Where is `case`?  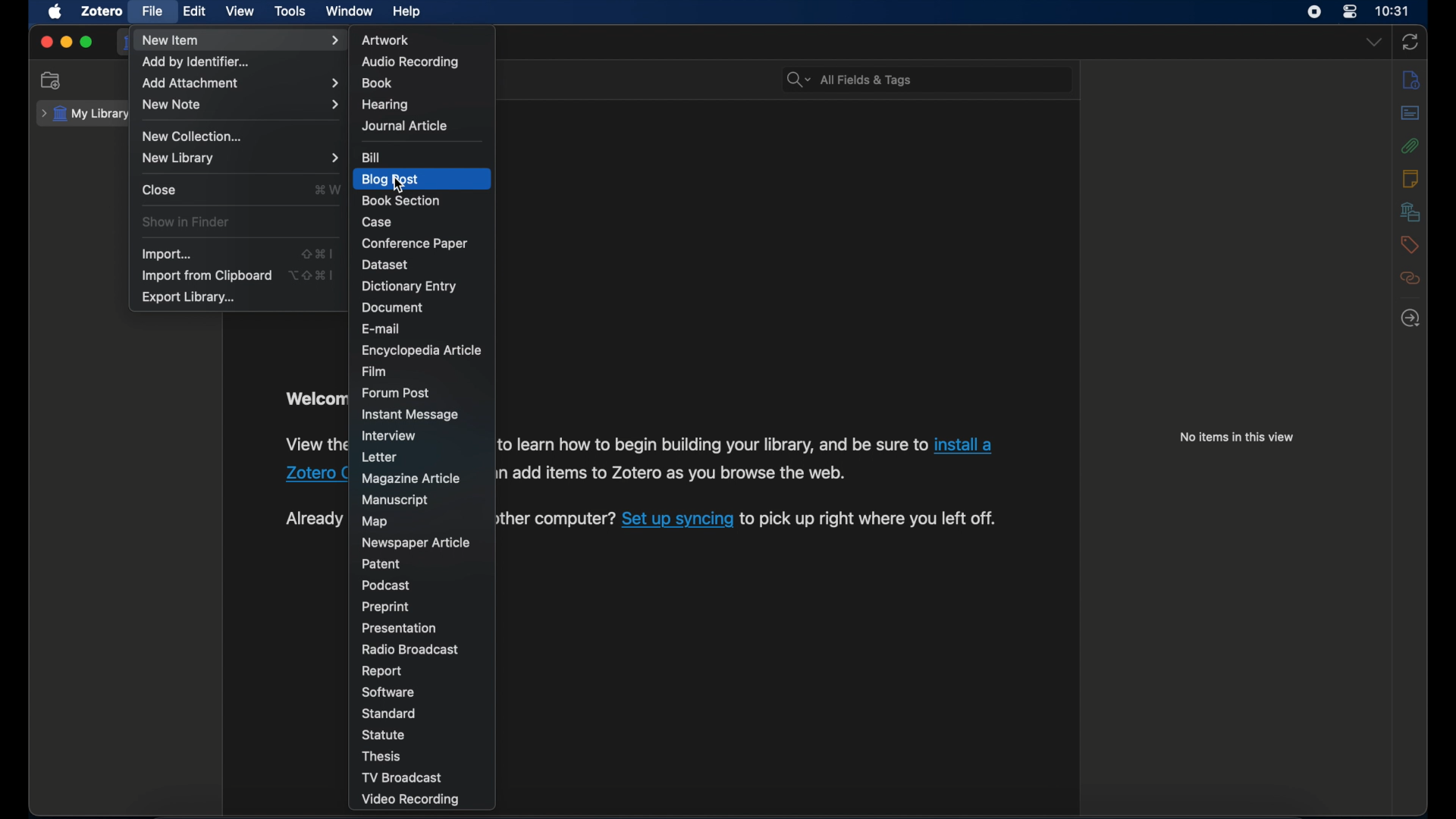 case is located at coordinates (378, 222).